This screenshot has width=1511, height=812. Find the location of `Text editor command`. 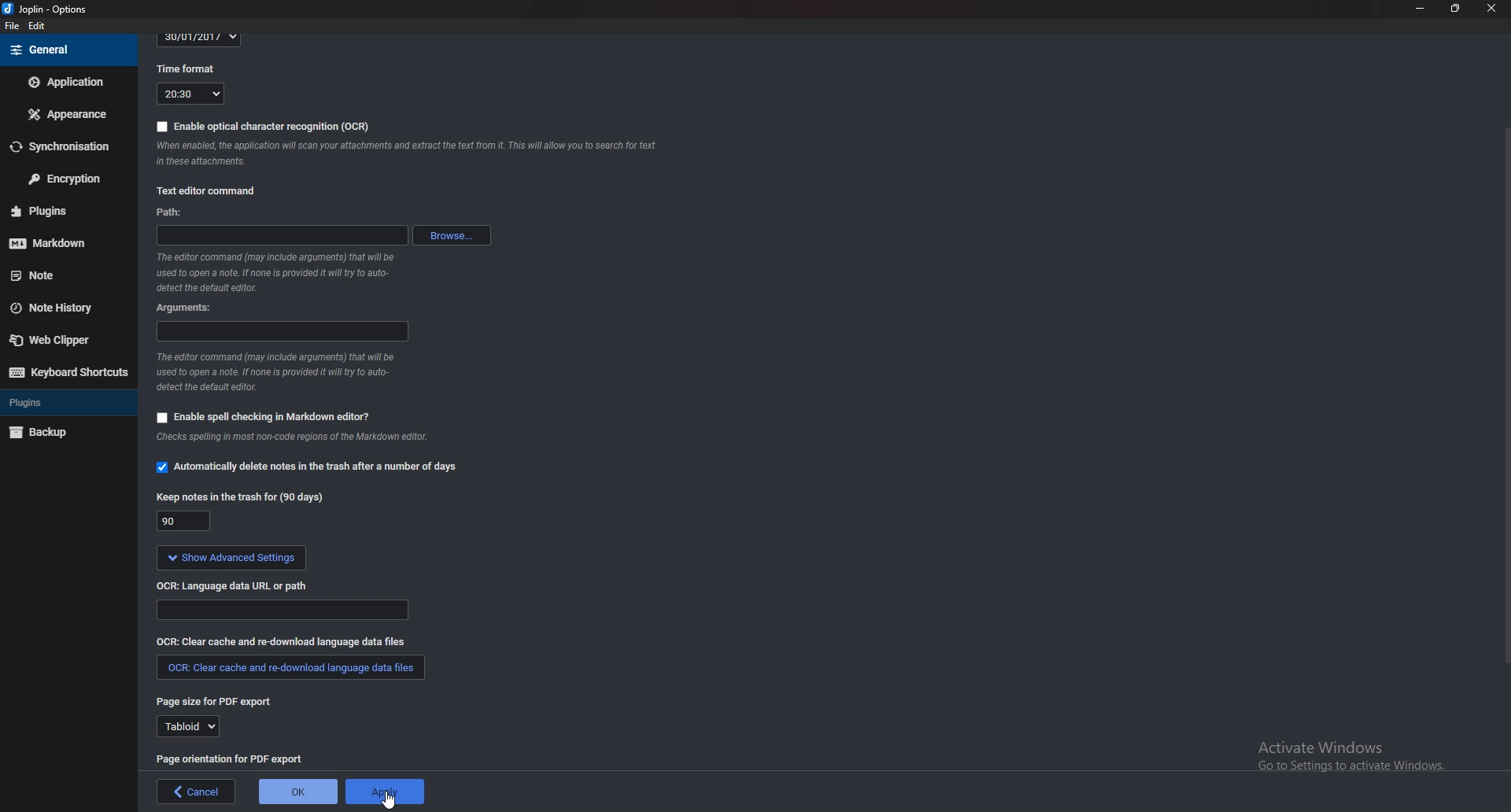

Text editor command is located at coordinates (217, 190).